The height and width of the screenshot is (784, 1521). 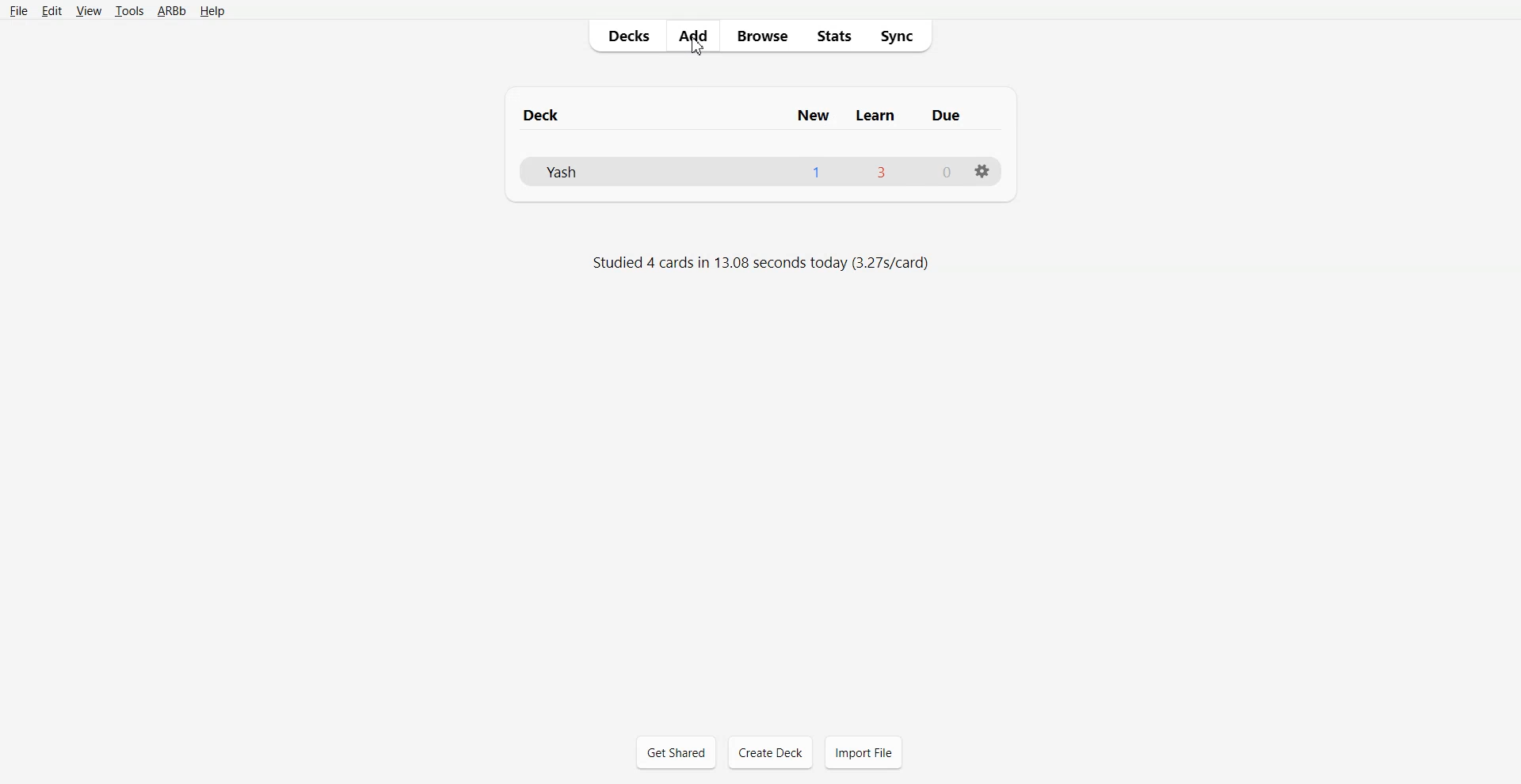 I want to click on File, so click(x=18, y=11).